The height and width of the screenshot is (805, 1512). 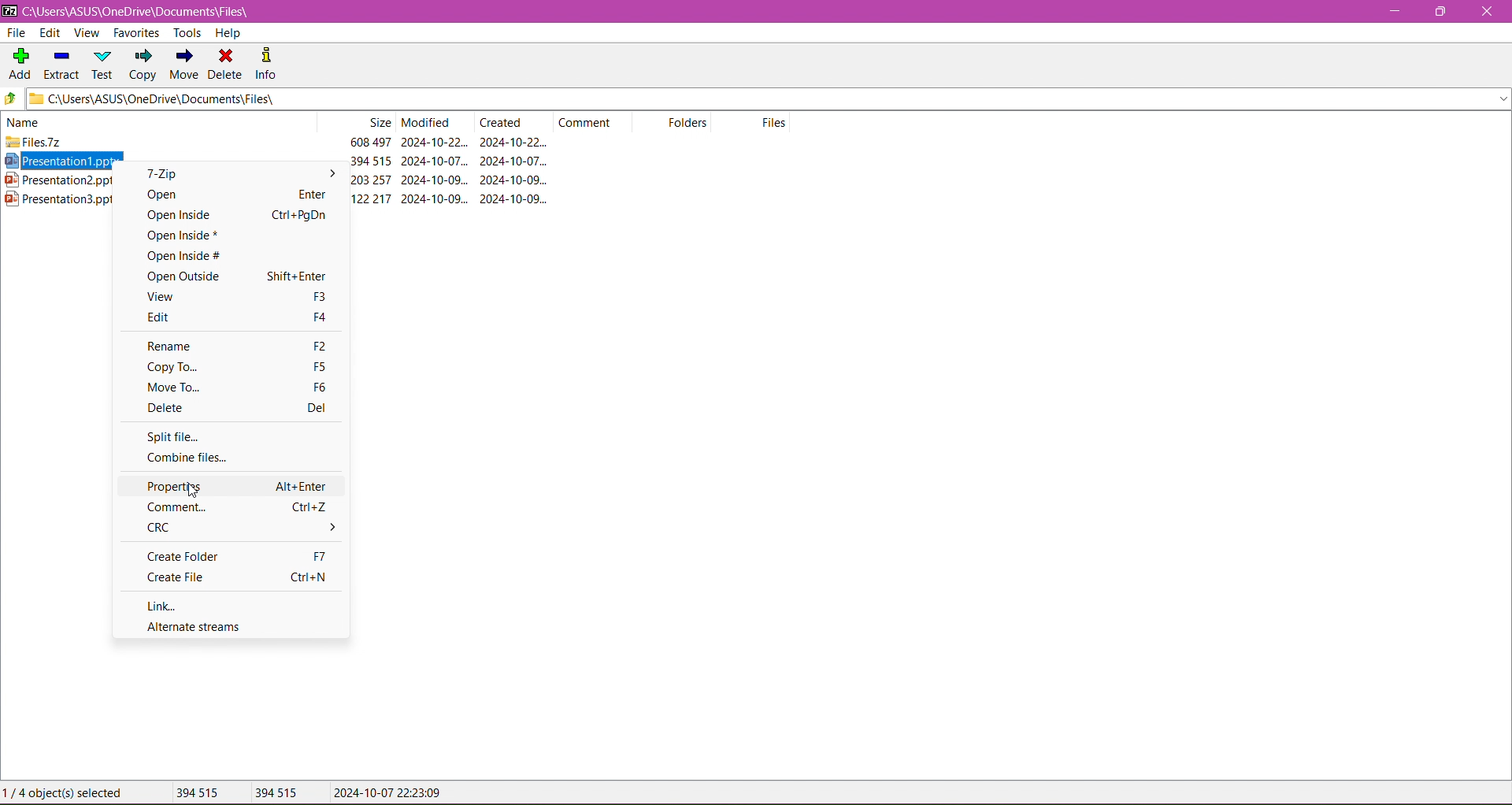 I want to click on Create Folder, so click(x=241, y=557).